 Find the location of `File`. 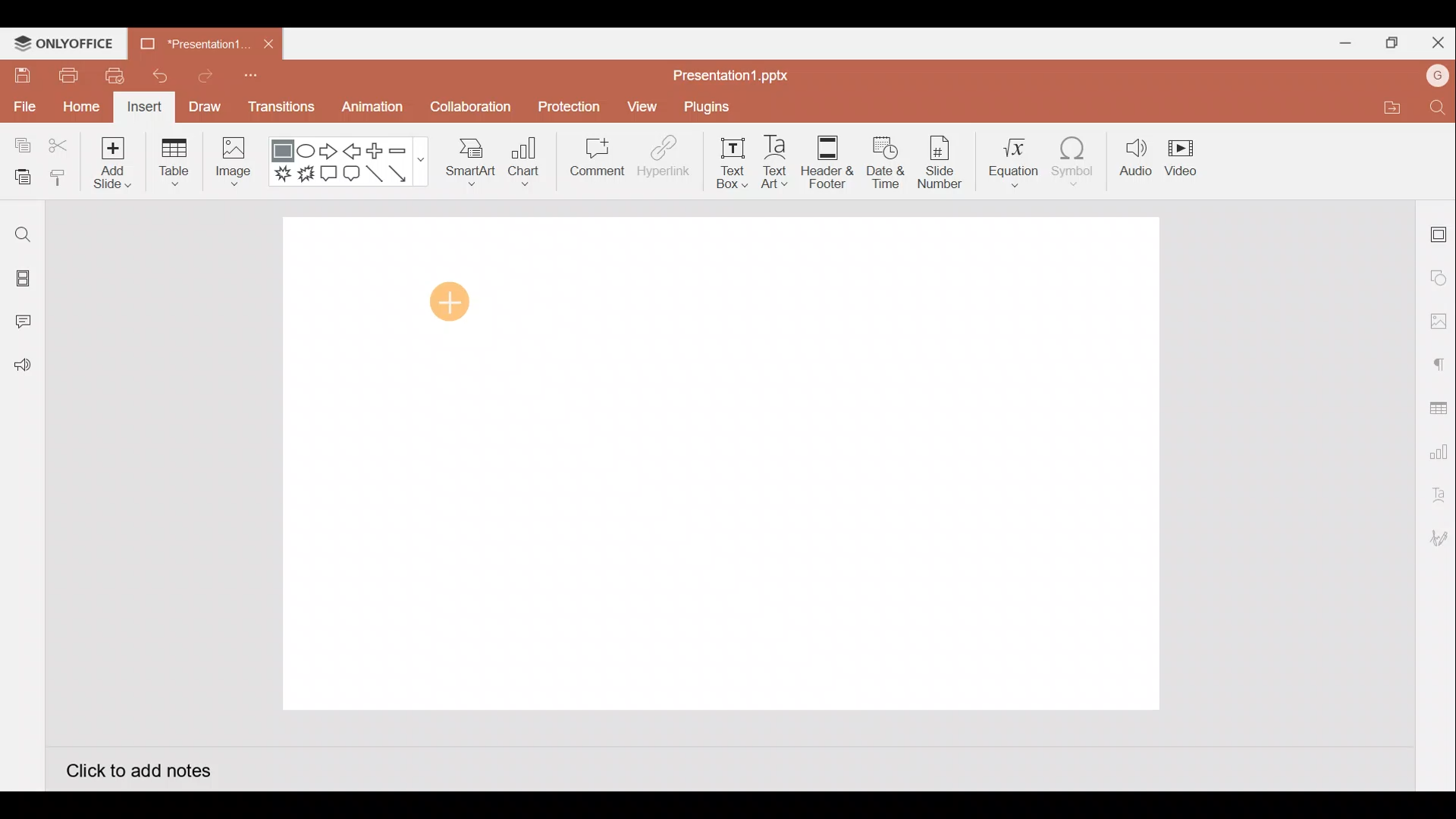

File is located at coordinates (23, 104).